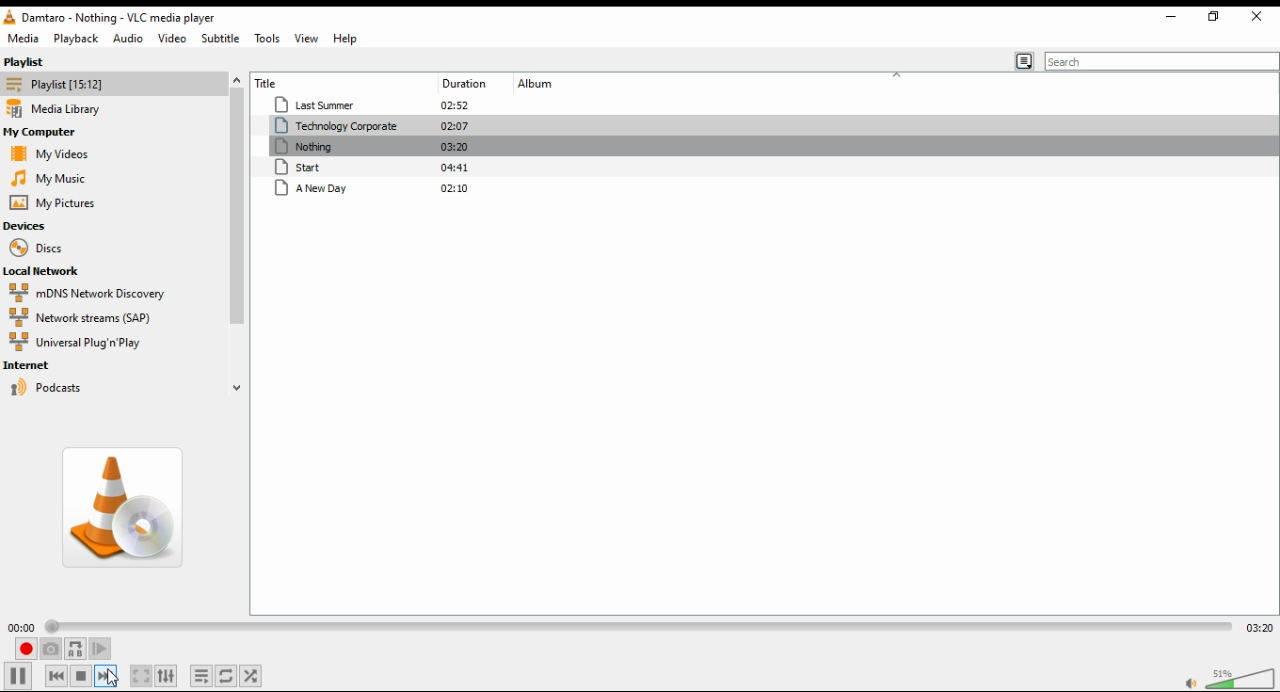  What do you see at coordinates (80, 676) in the screenshot?
I see `stop` at bounding box center [80, 676].